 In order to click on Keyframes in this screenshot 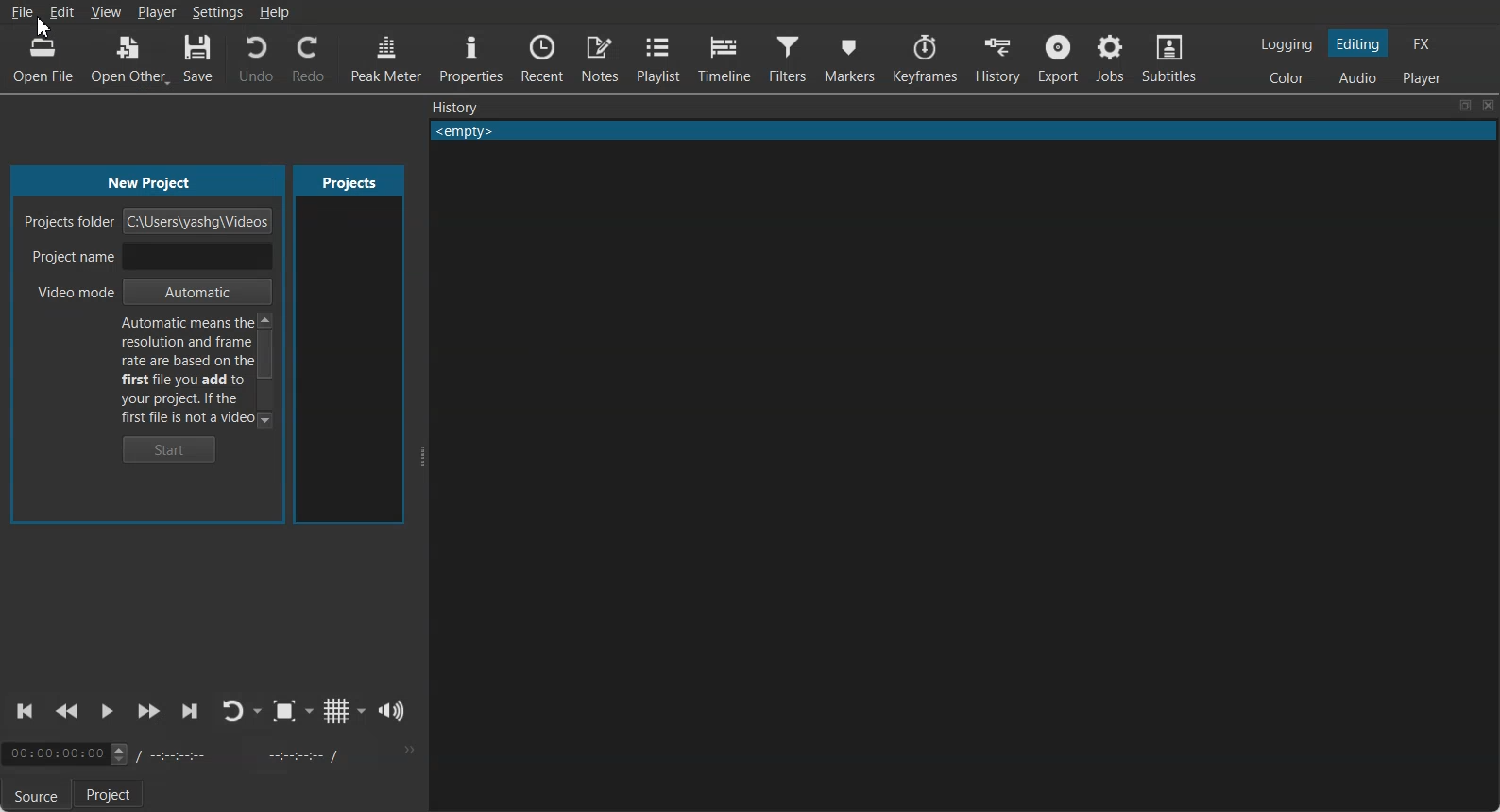, I will do `click(927, 59)`.